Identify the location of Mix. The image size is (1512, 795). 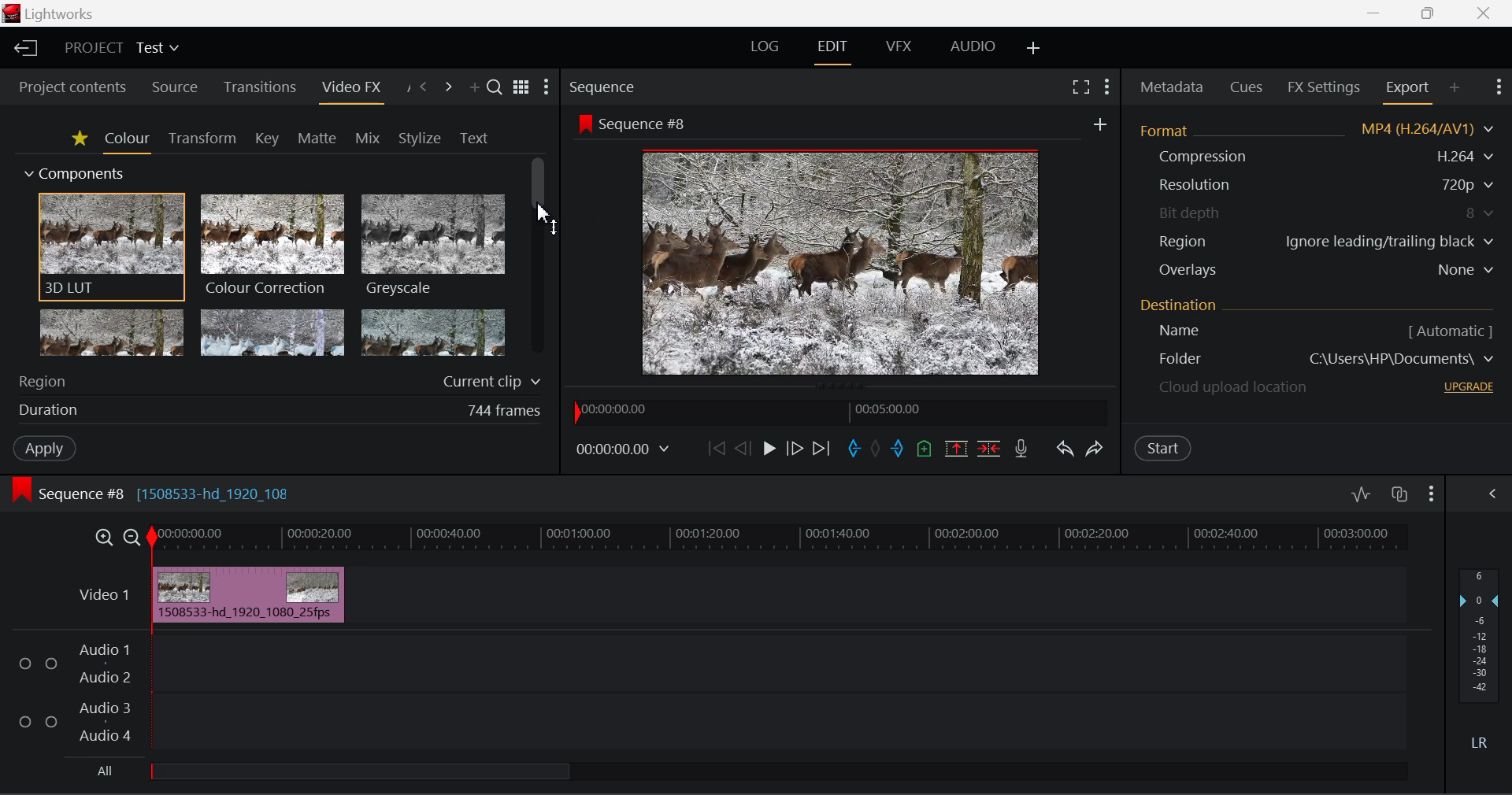
(369, 135).